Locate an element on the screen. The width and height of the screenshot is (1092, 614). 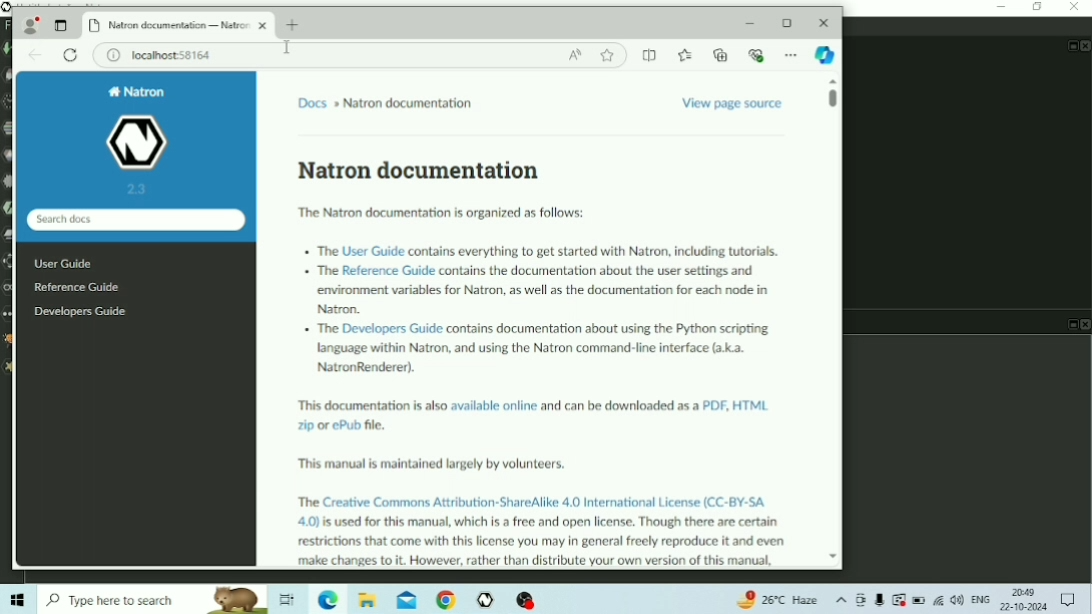
Workspace is located at coordinates (608, 56).